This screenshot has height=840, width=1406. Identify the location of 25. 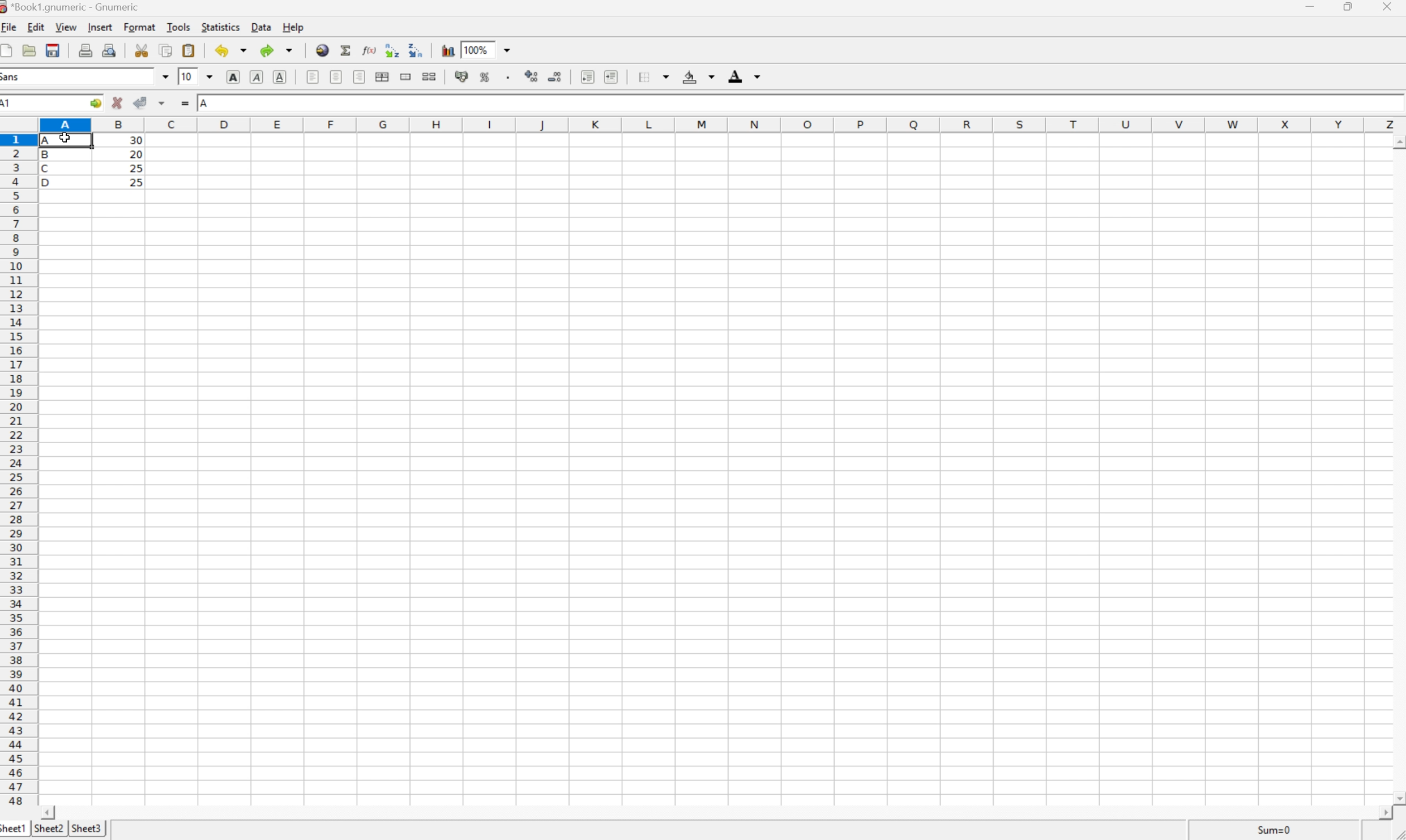
(138, 182).